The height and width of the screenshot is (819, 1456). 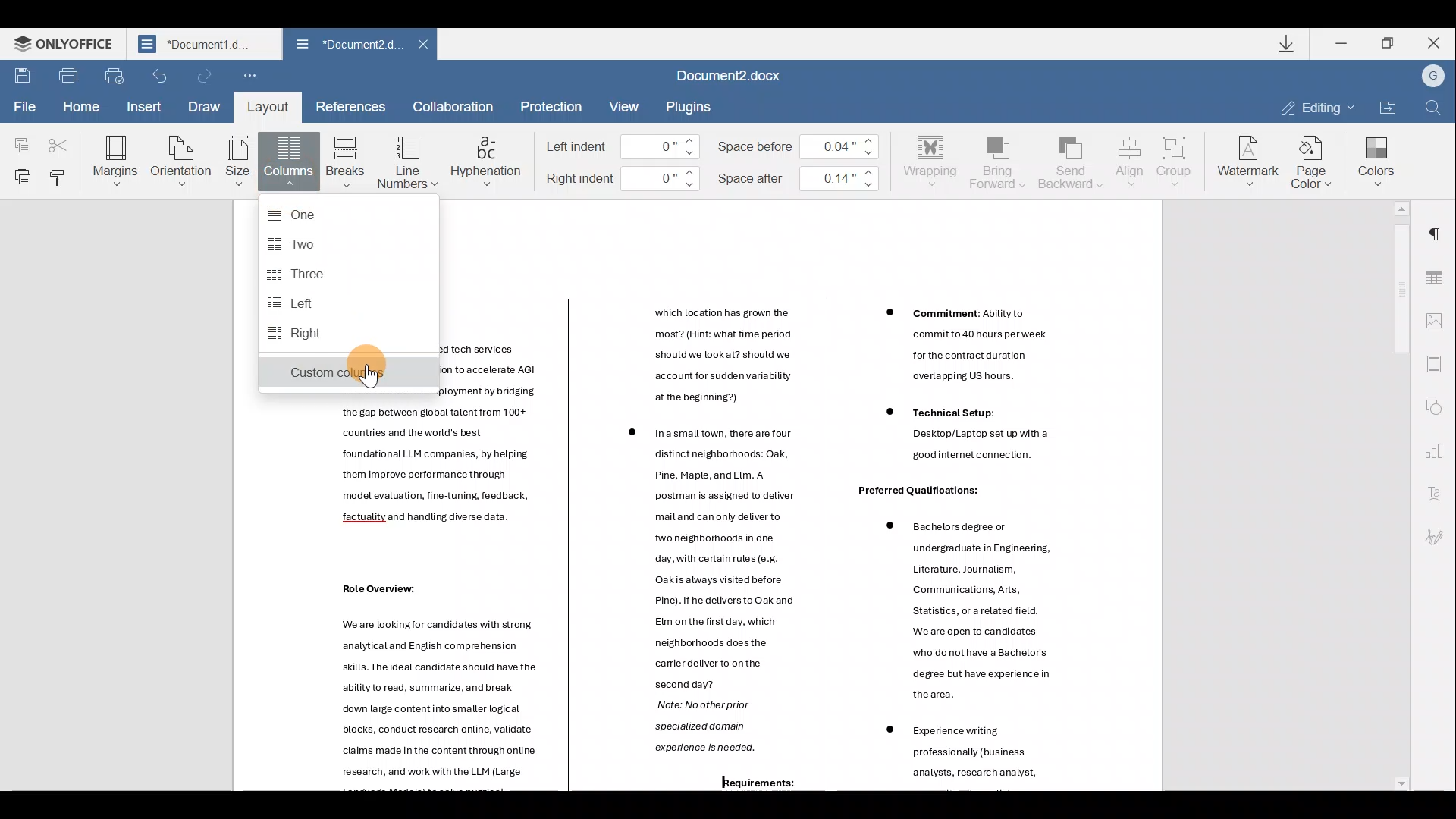 I want to click on Print file, so click(x=67, y=75).